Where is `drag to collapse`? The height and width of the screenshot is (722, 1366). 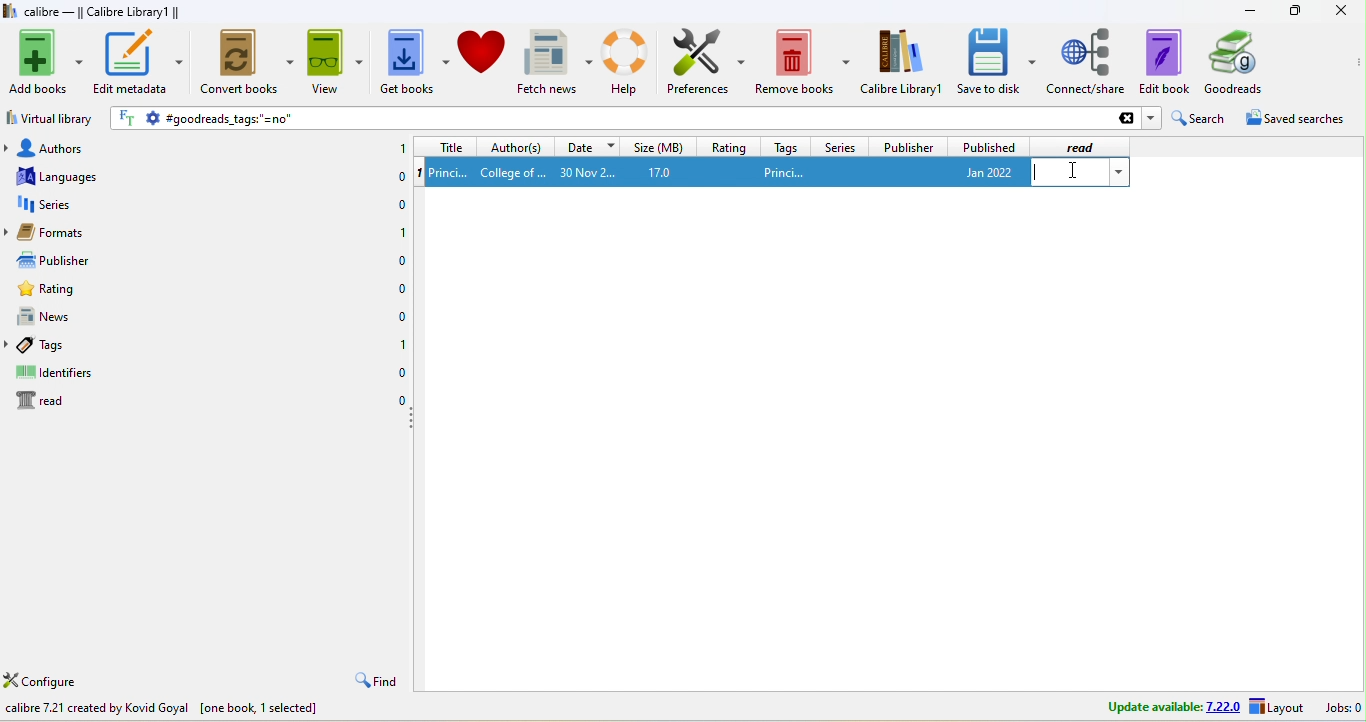
drag to collapse is located at coordinates (413, 419).